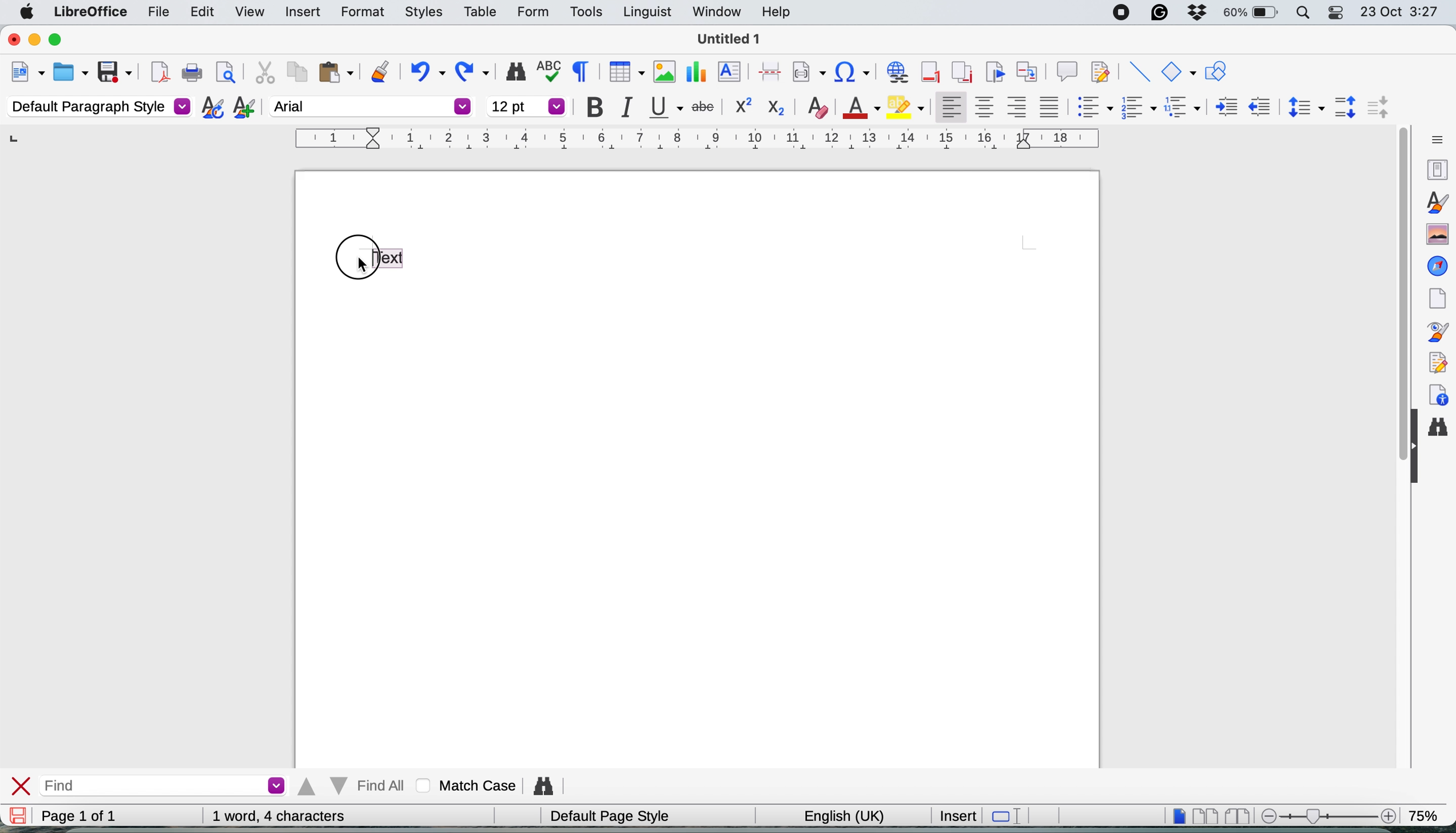 This screenshot has height=833, width=1456. Describe the element at coordinates (1157, 14) in the screenshot. I see `grammarly` at that location.